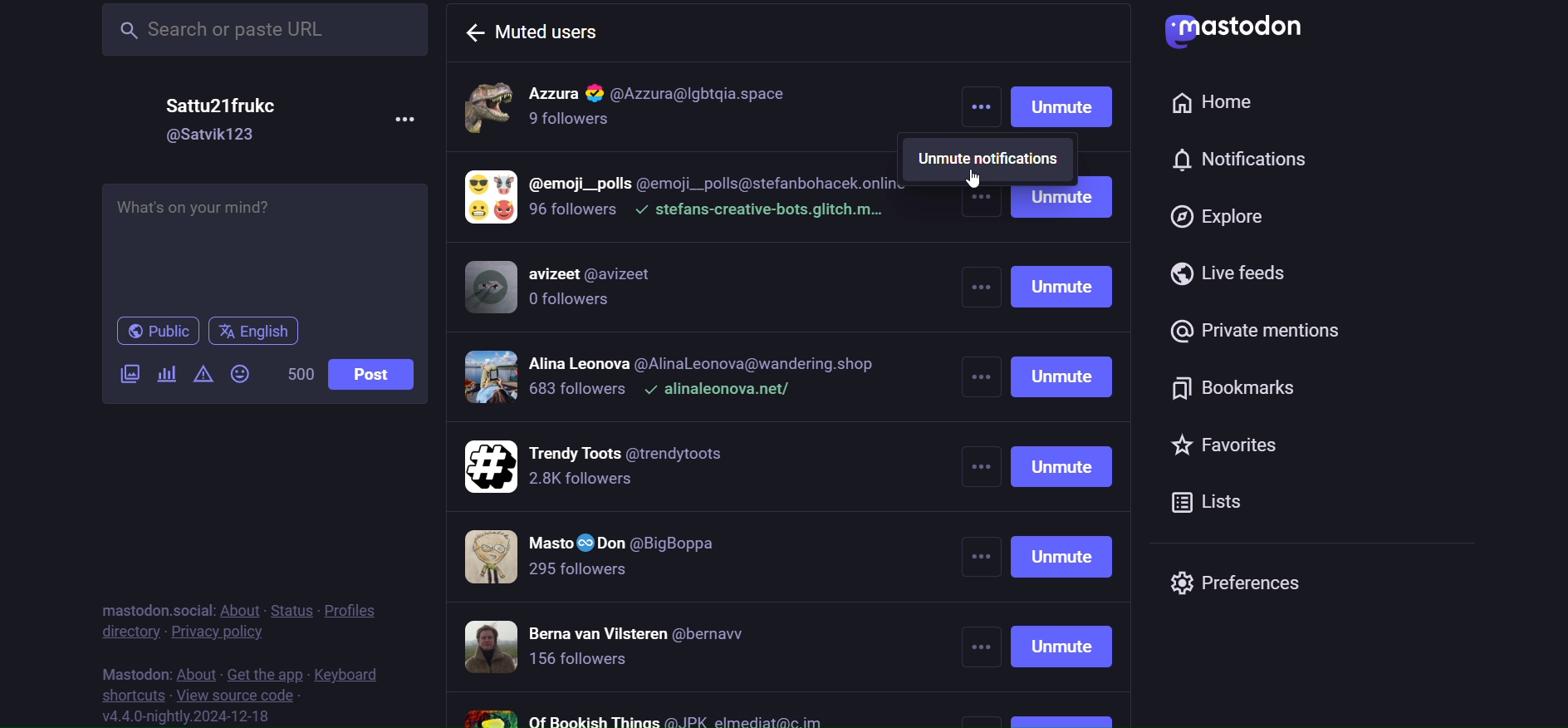 The height and width of the screenshot is (728, 1568). What do you see at coordinates (981, 455) in the screenshot?
I see `other more options` at bounding box center [981, 455].